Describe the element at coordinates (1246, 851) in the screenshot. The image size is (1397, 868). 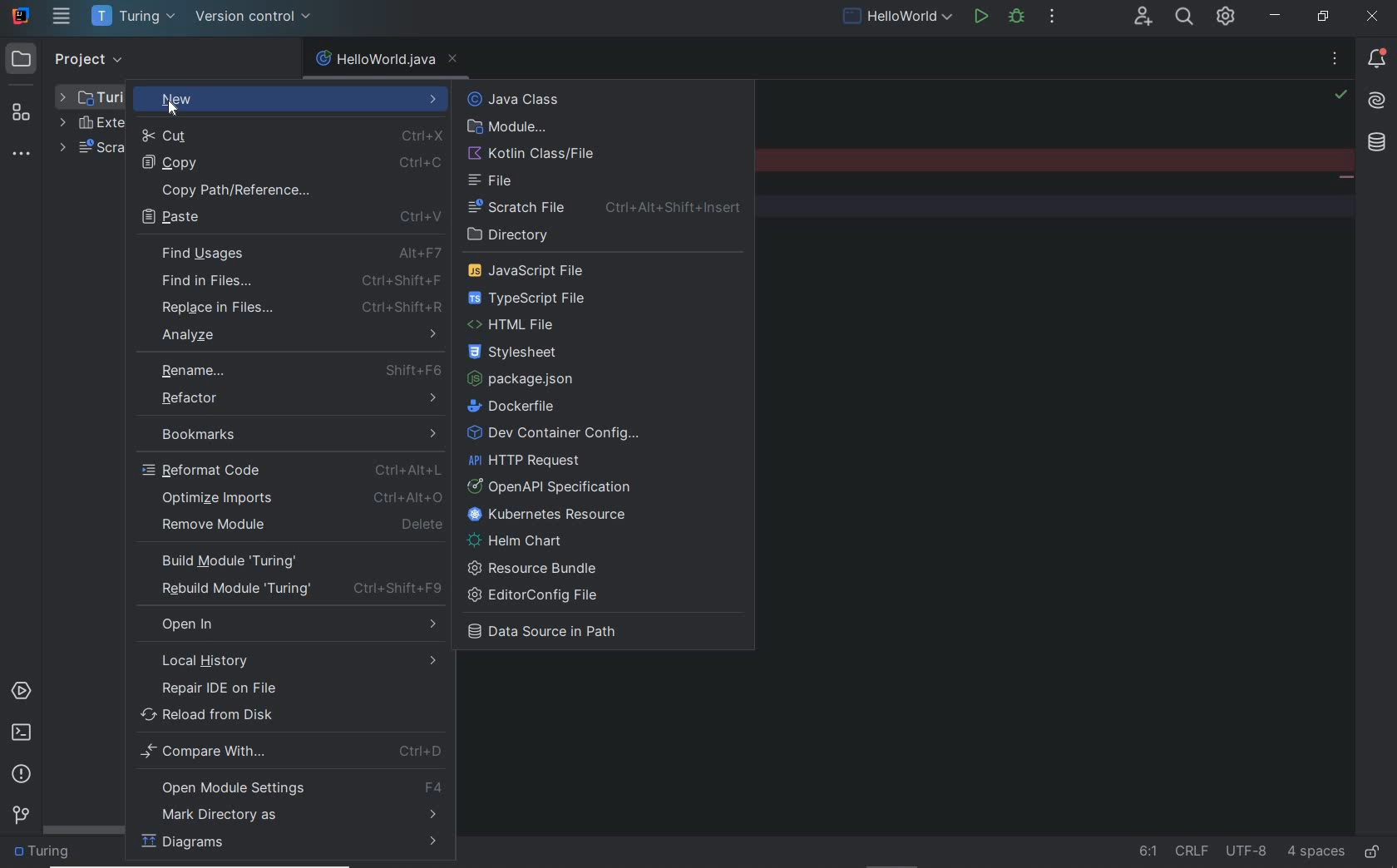
I see `file encoding` at that location.